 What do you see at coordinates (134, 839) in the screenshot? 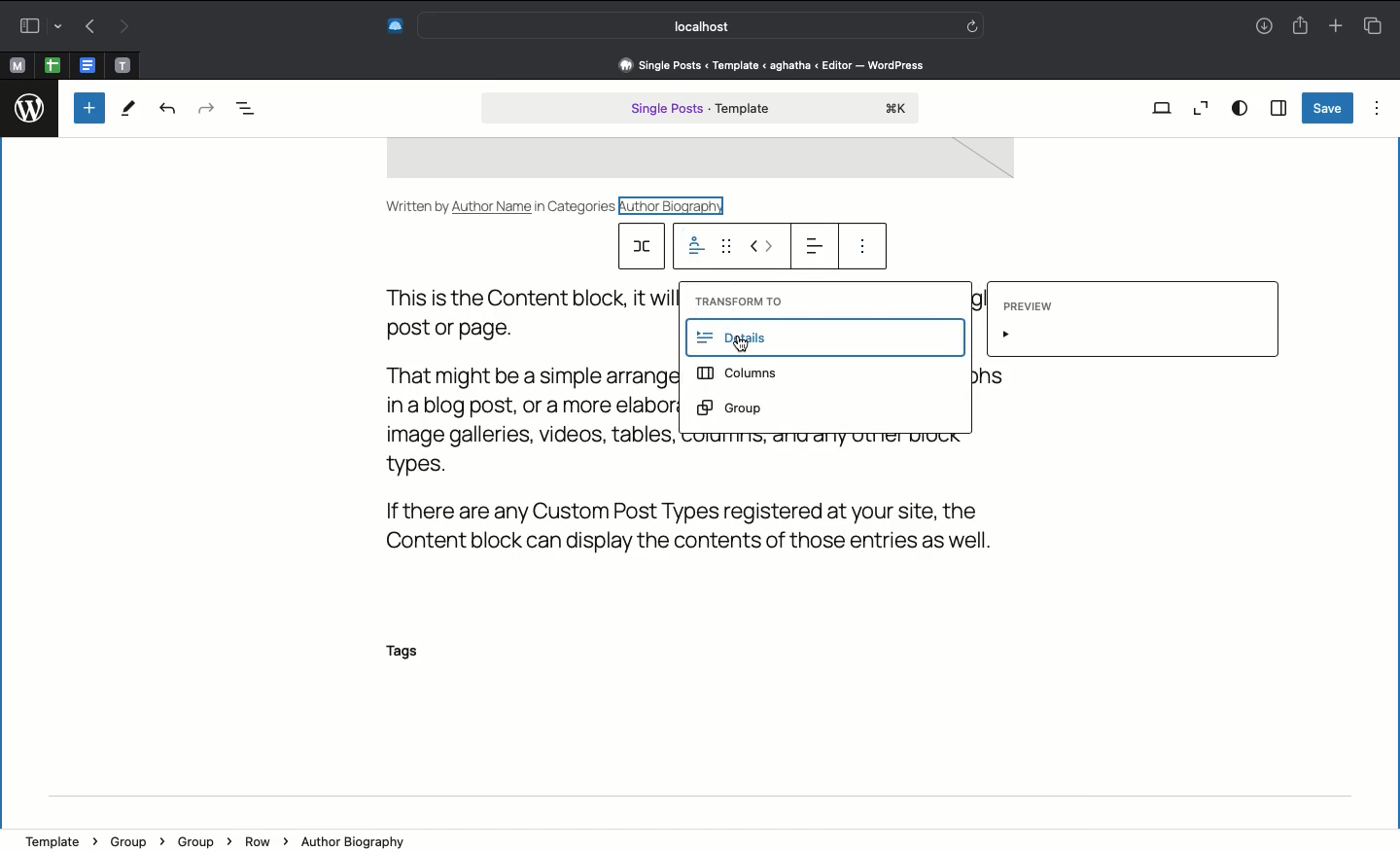
I see `Group` at bounding box center [134, 839].